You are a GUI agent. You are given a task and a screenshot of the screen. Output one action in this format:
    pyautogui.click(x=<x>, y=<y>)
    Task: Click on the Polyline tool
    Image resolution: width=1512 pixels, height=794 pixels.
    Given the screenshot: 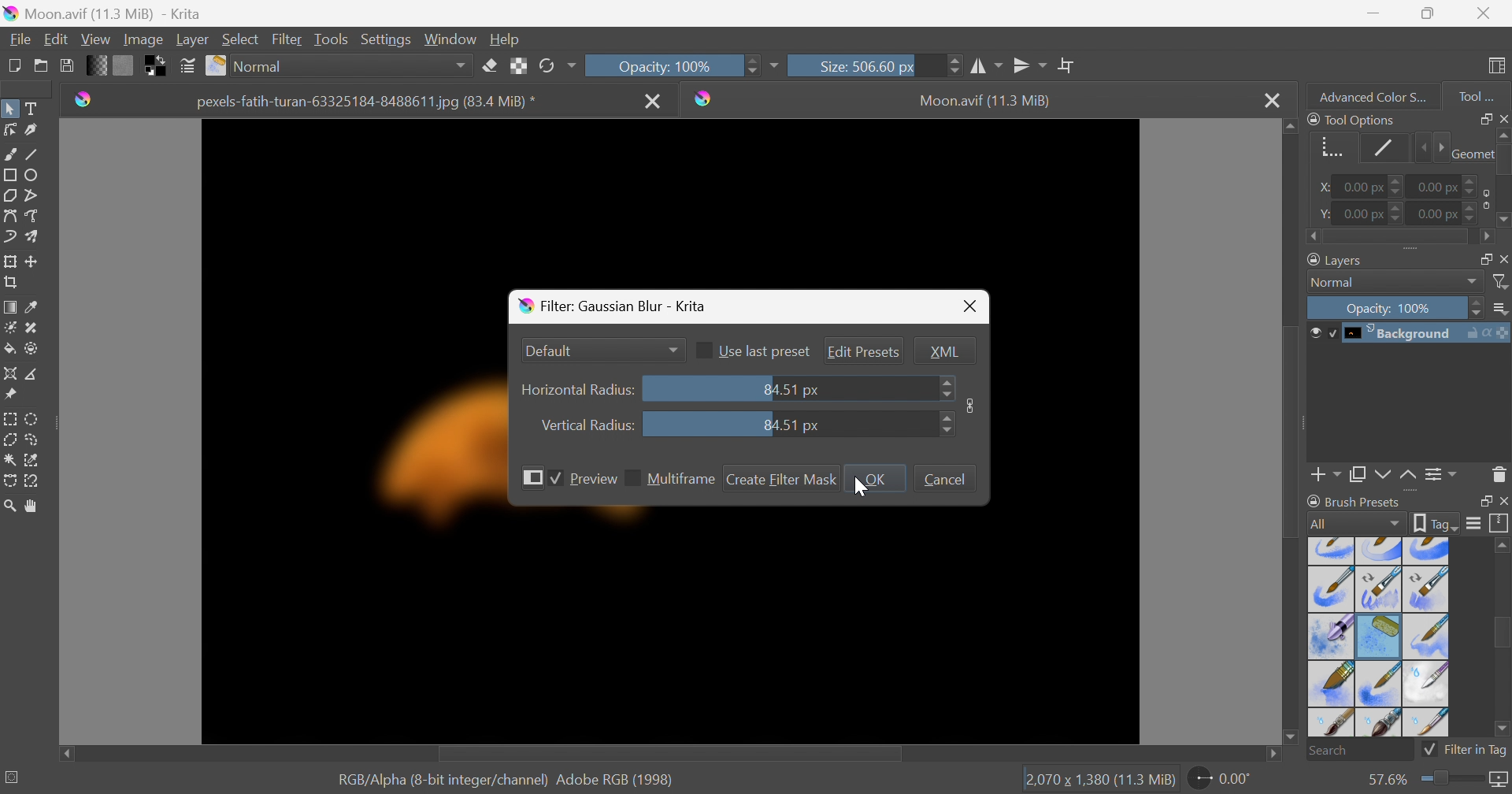 What is the action you would take?
    pyautogui.click(x=34, y=195)
    